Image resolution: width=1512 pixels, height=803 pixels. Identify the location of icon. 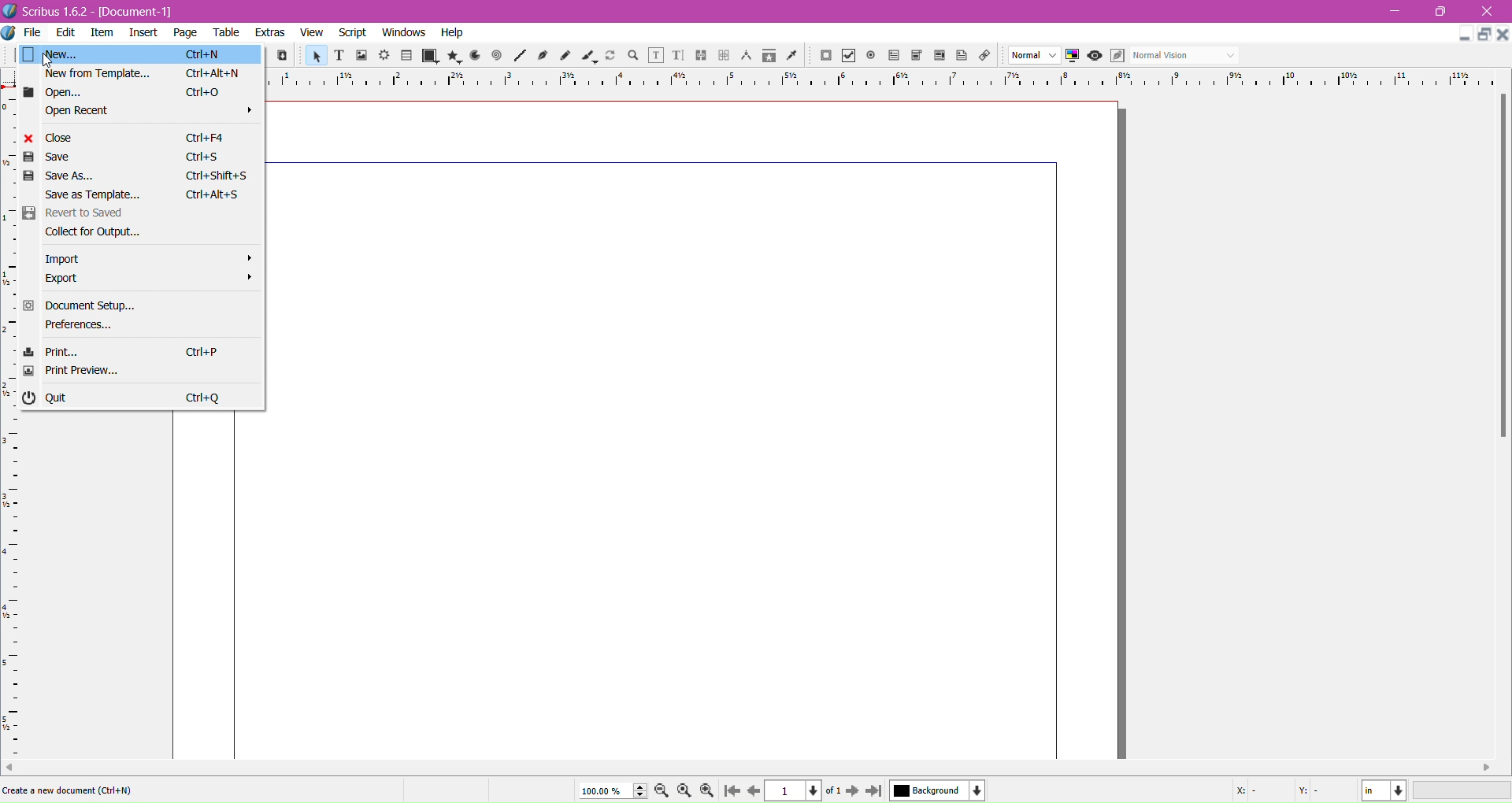
(431, 54).